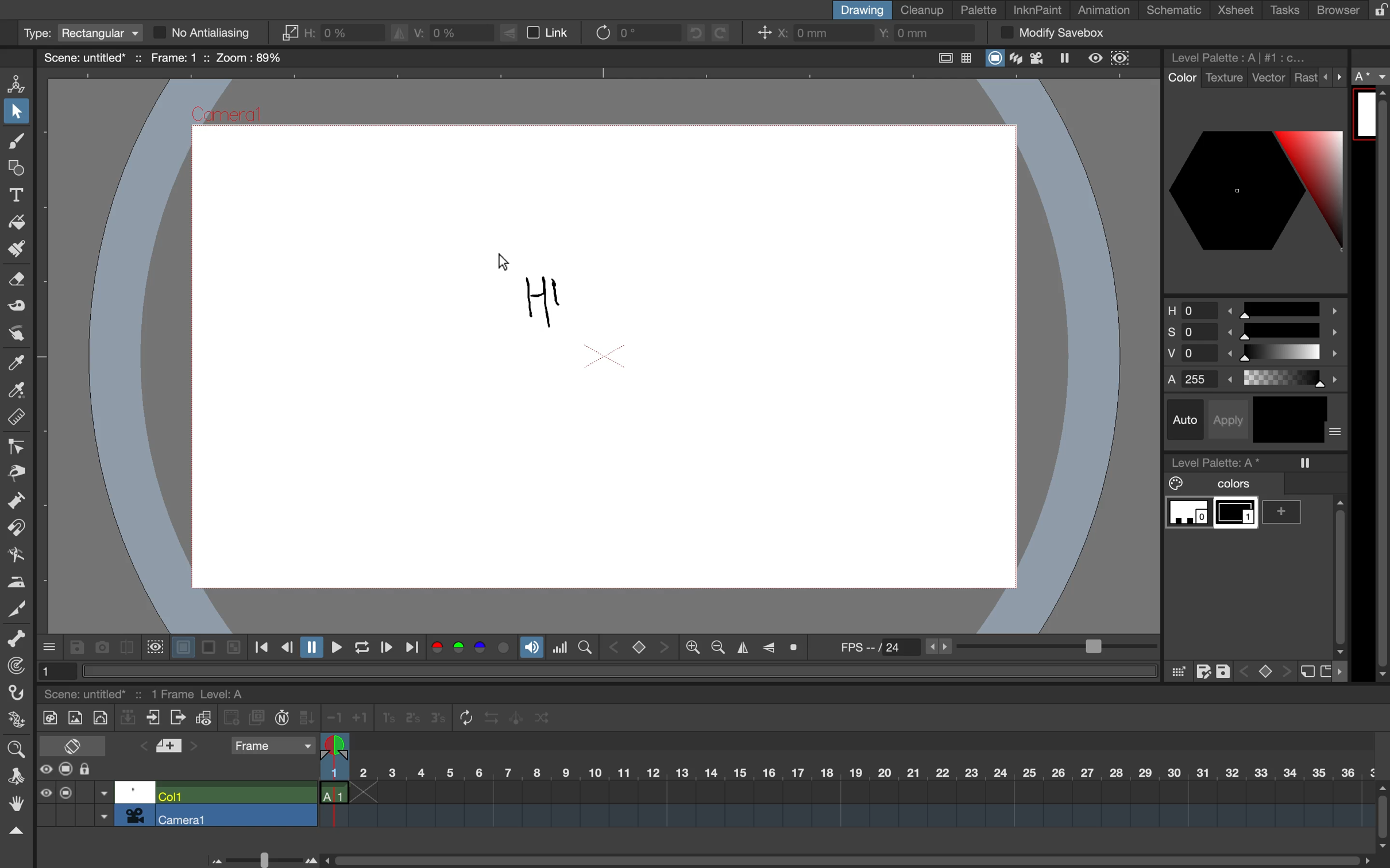 The height and width of the screenshot is (868, 1390). What do you see at coordinates (76, 648) in the screenshot?
I see `save` at bounding box center [76, 648].